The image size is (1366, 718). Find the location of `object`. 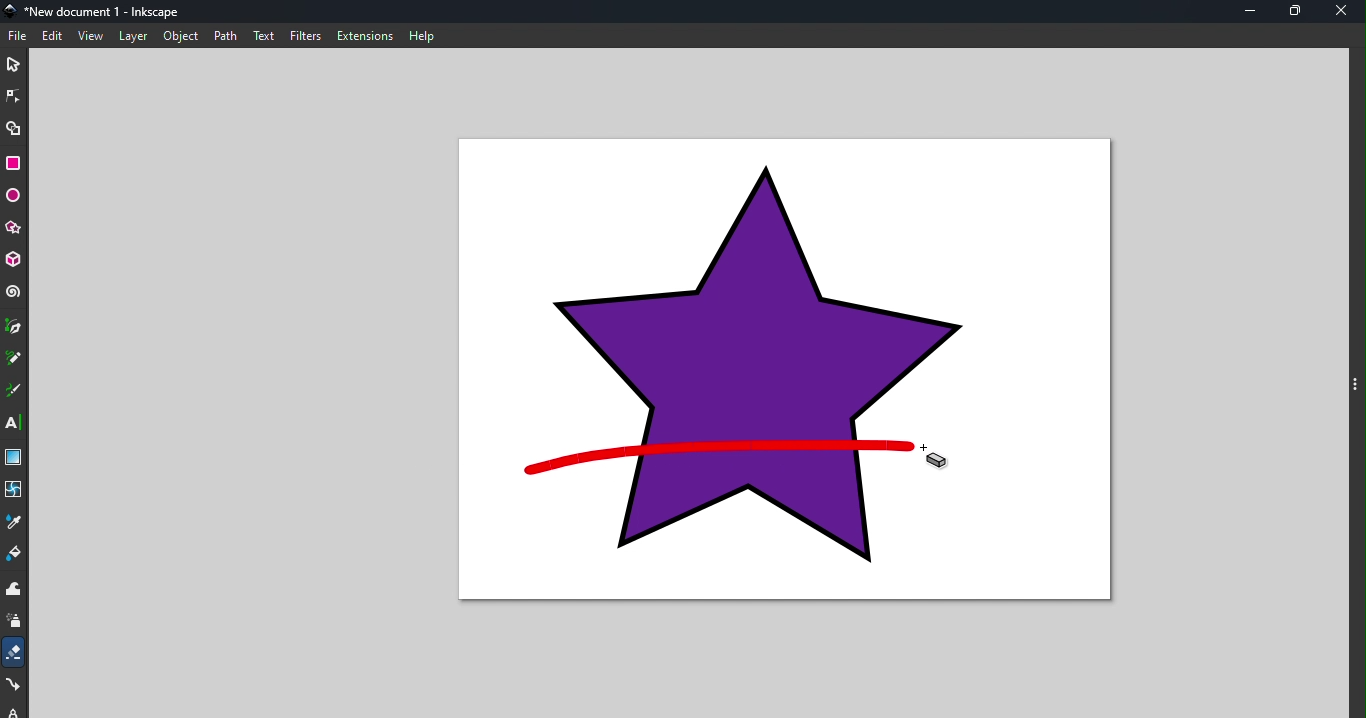

object is located at coordinates (181, 35).